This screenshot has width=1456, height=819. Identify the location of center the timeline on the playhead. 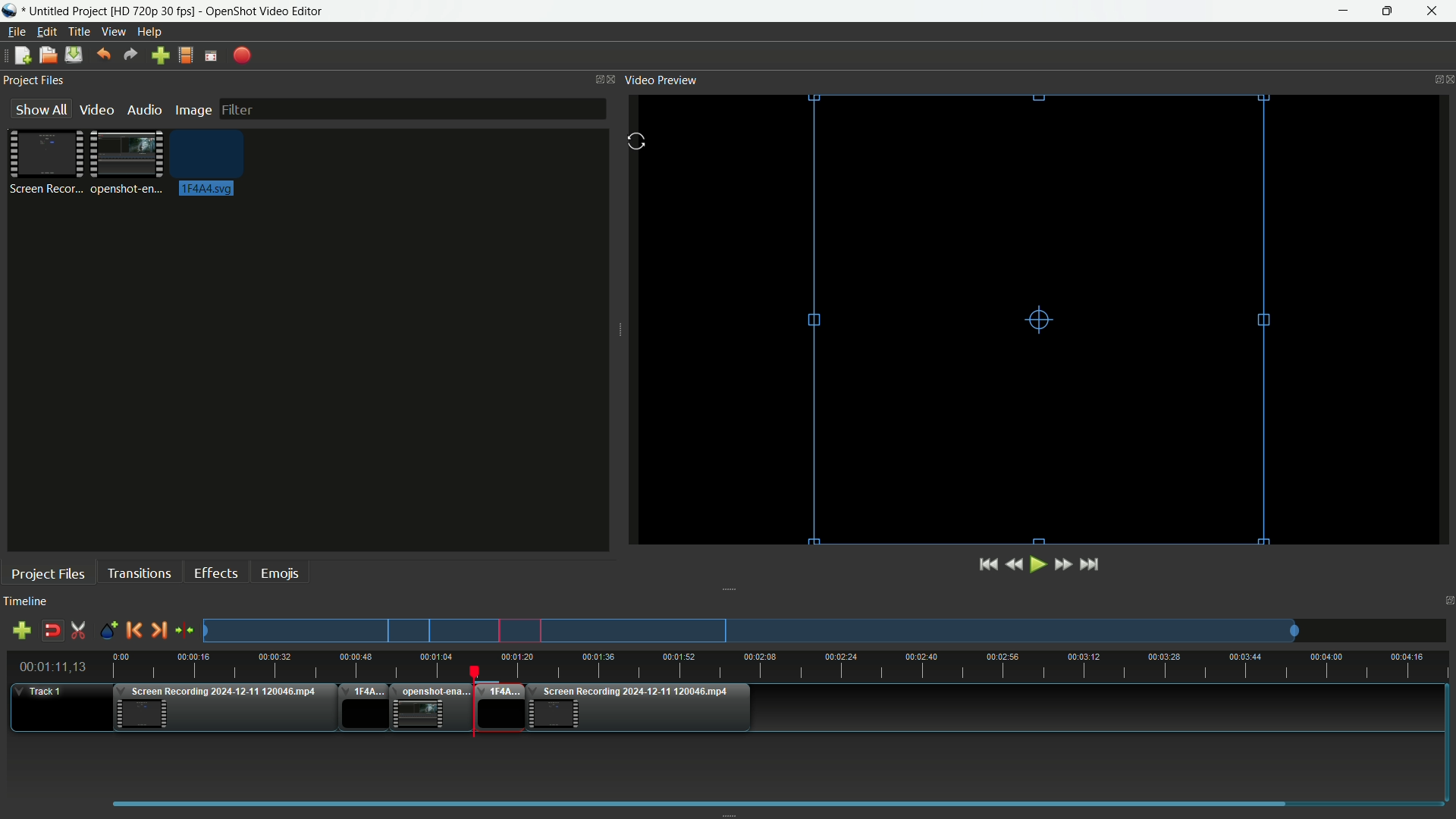
(185, 631).